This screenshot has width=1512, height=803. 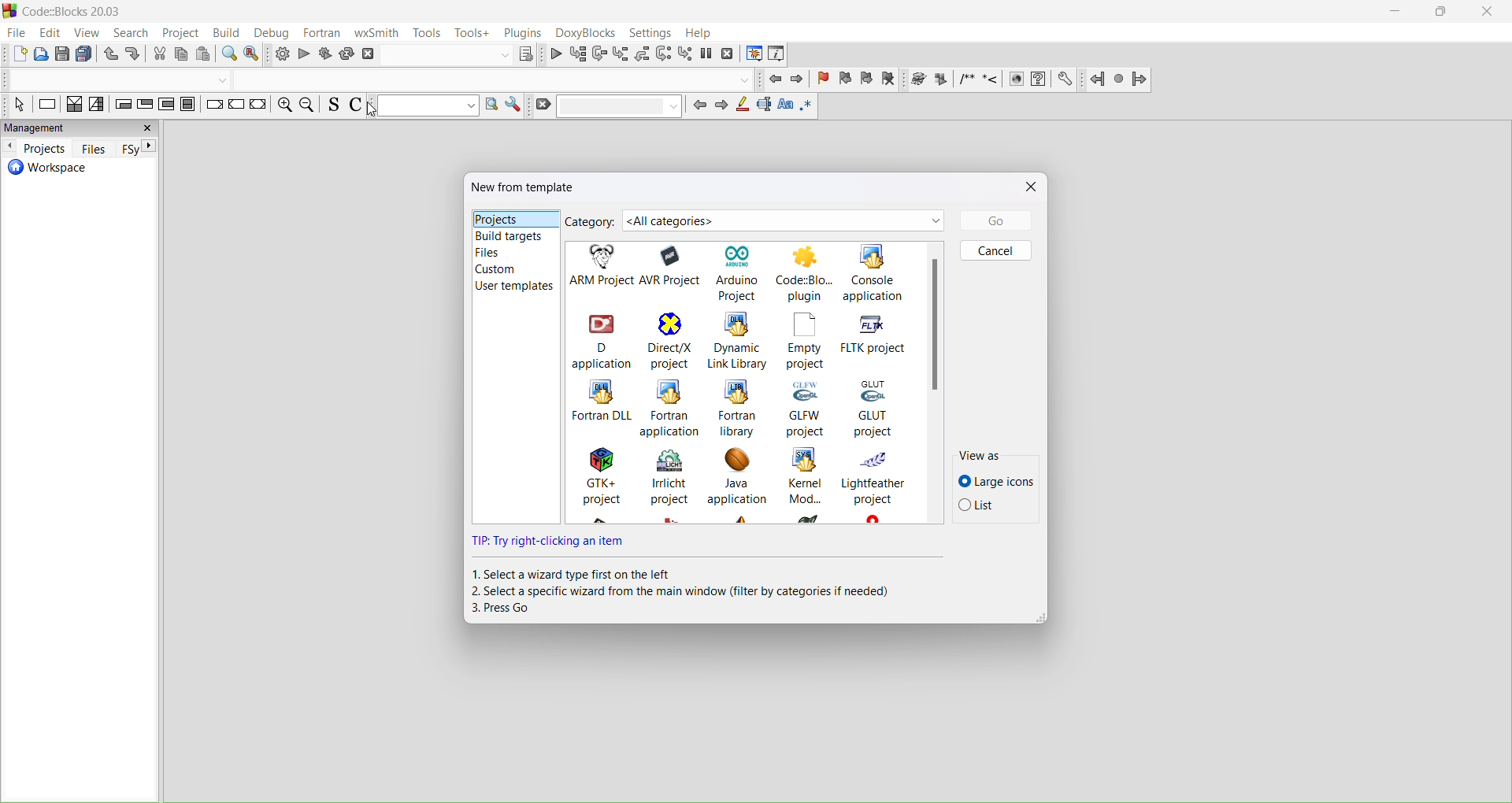 I want to click on selected text, so click(x=765, y=107).